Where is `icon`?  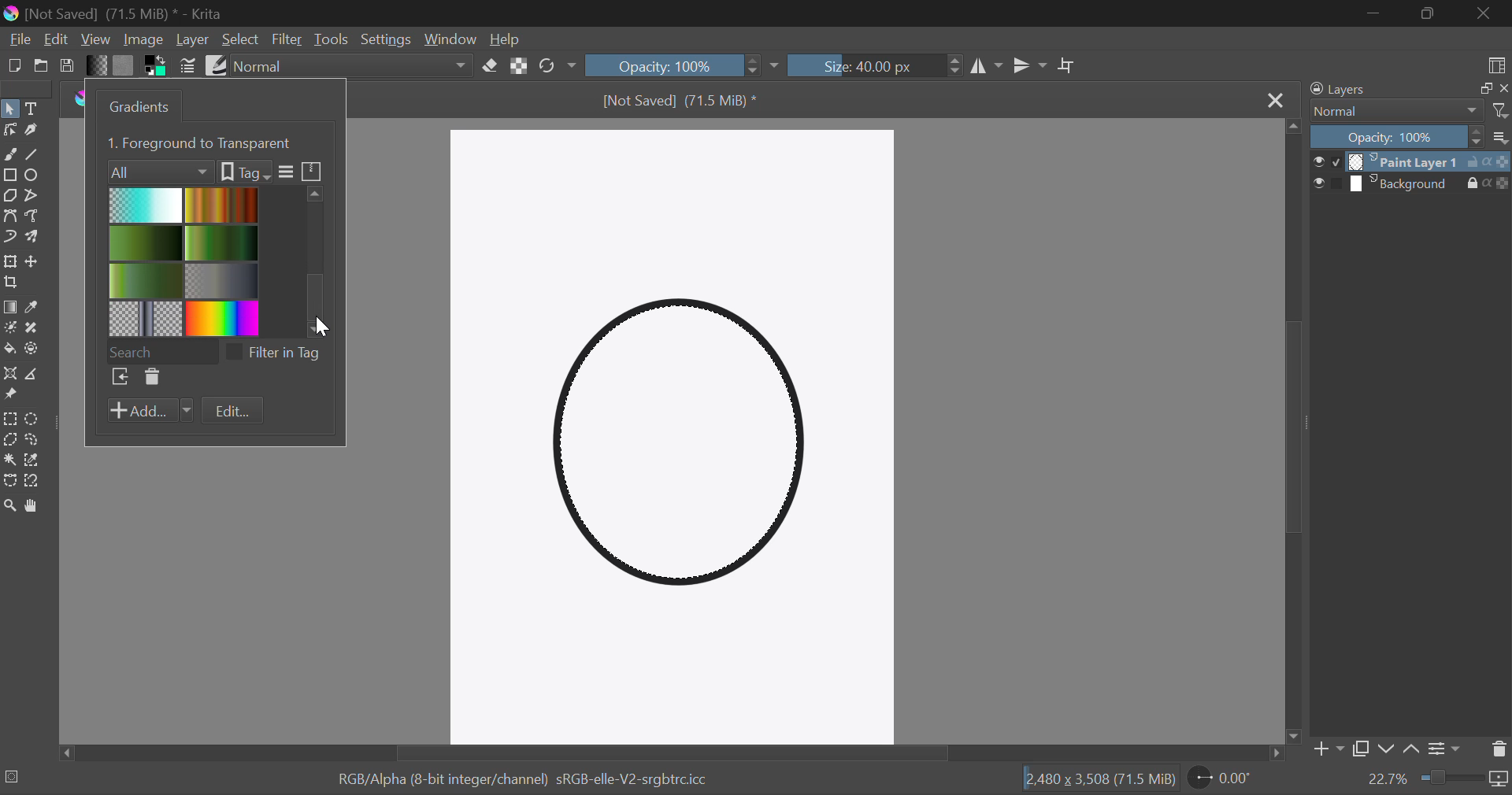
icon is located at coordinates (313, 170).